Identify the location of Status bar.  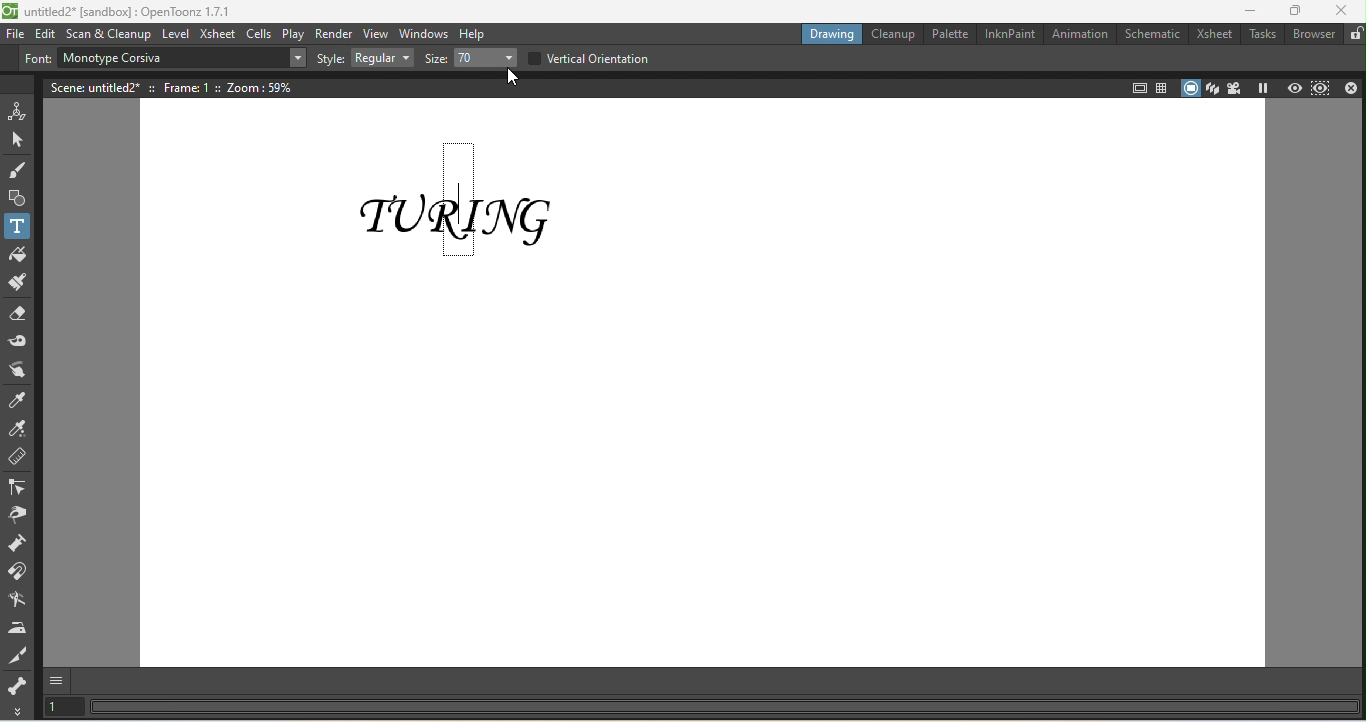
(731, 698).